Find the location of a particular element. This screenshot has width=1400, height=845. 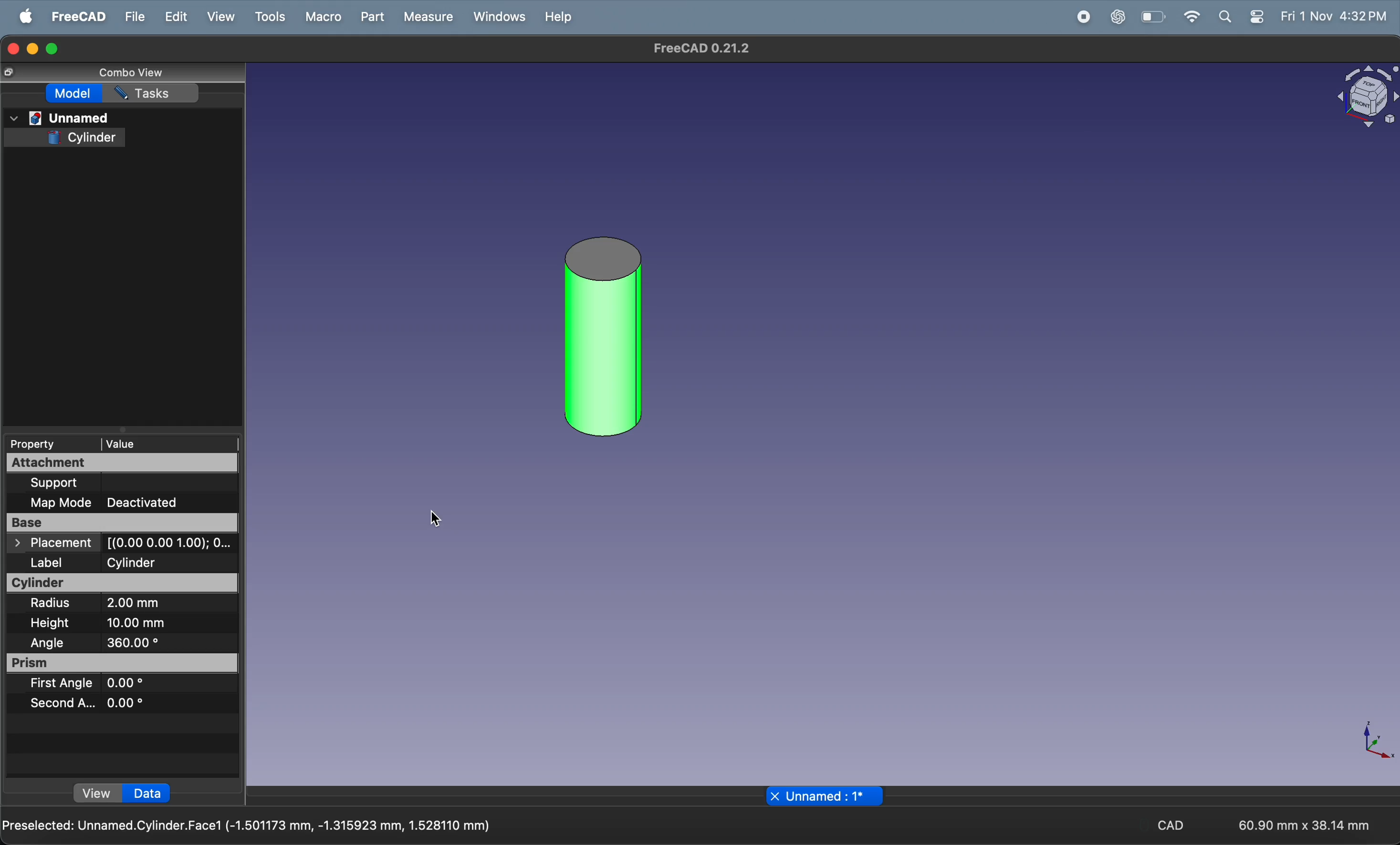

close is located at coordinates (774, 796).